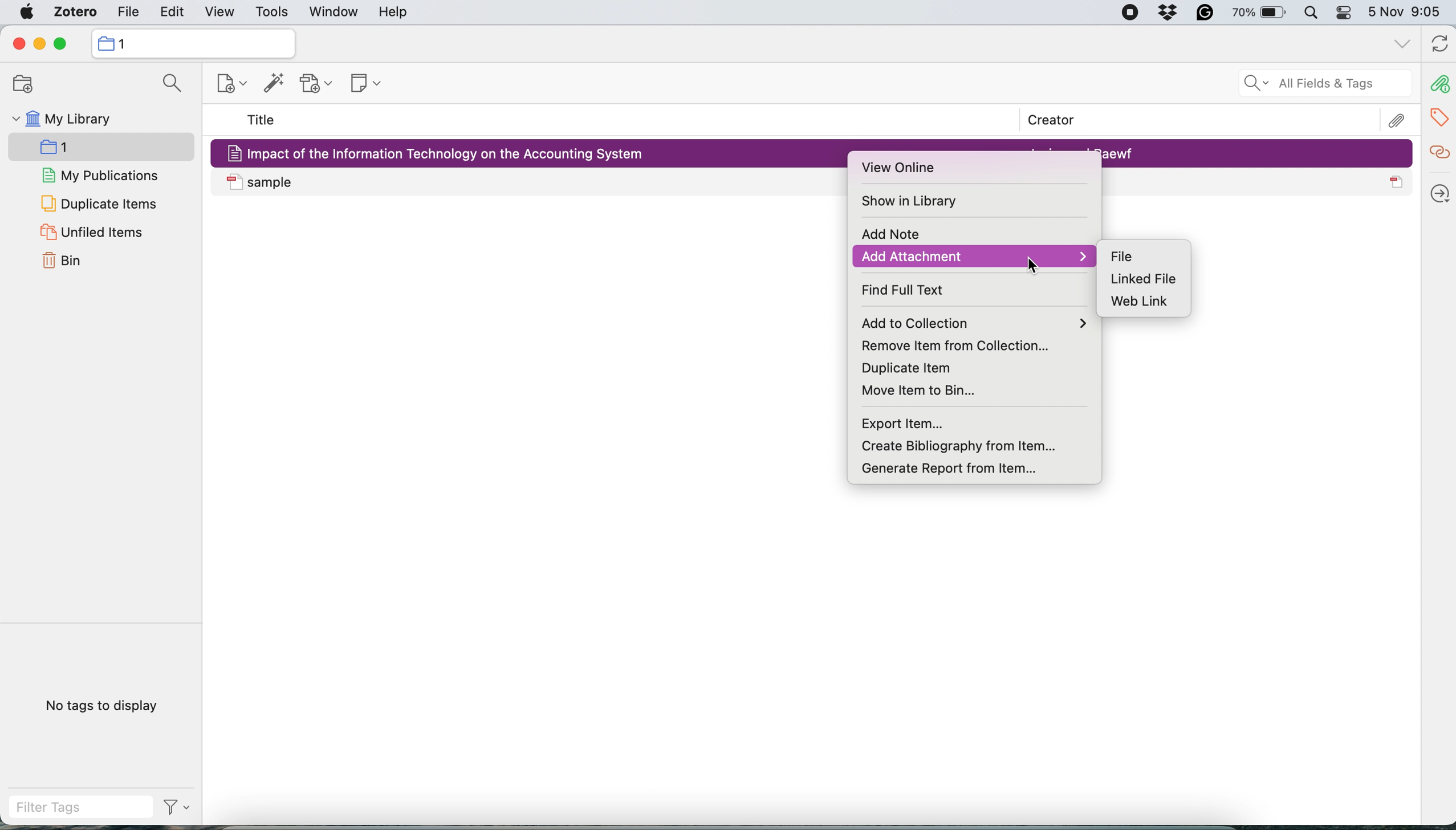 Image resolution: width=1456 pixels, height=830 pixels. I want to click on screen recorder, so click(1121, 14).